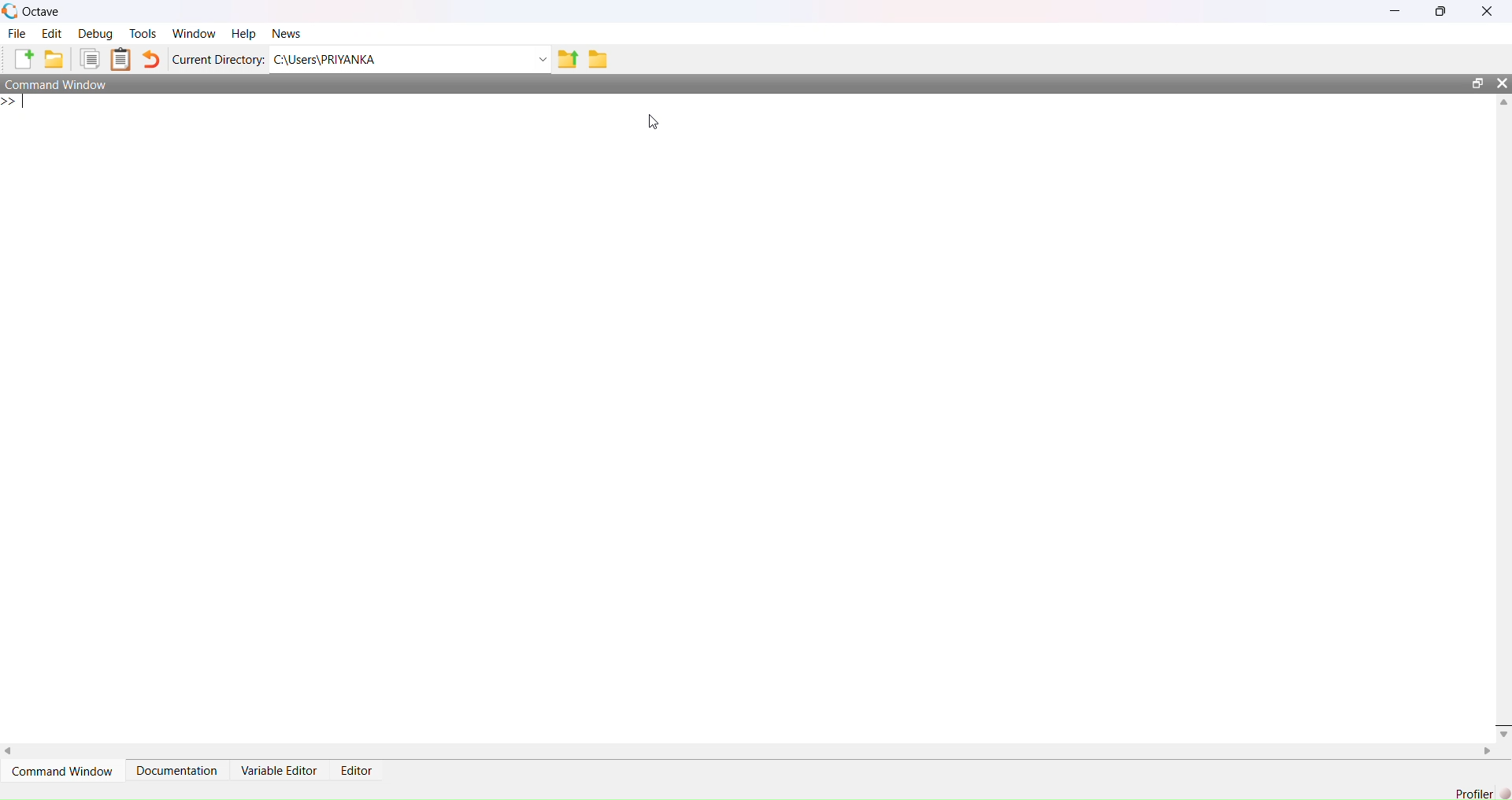 The height and width of the screenshot is (800, 1512). What do you see at coordinates (1488, 12) in the screenshot?
I see `Close` at bounding box center [1488, 12].